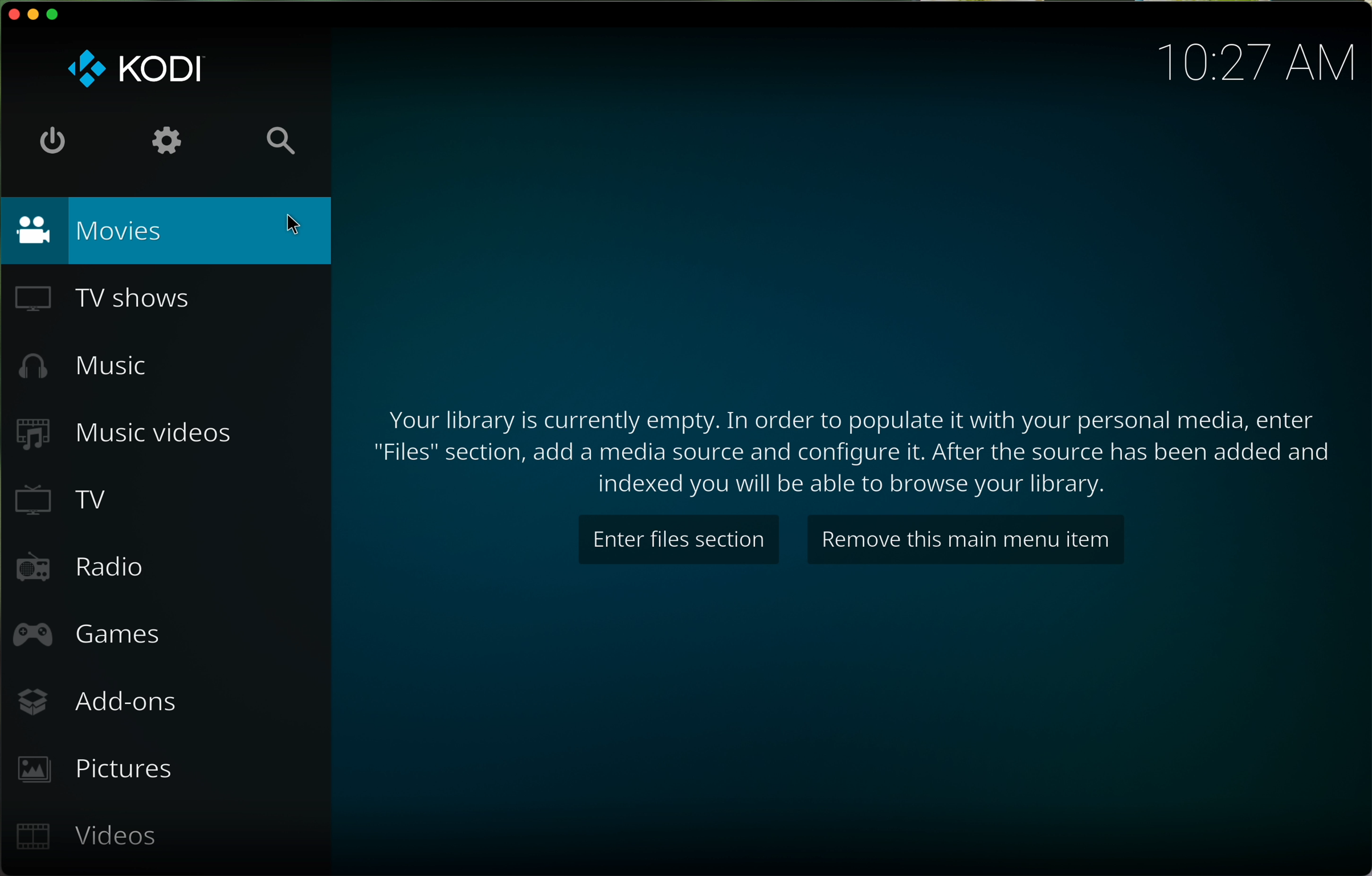  What do you see at coordinates (13, 11) in the screenshot?
I see `close` at bounding box center [13, 11].